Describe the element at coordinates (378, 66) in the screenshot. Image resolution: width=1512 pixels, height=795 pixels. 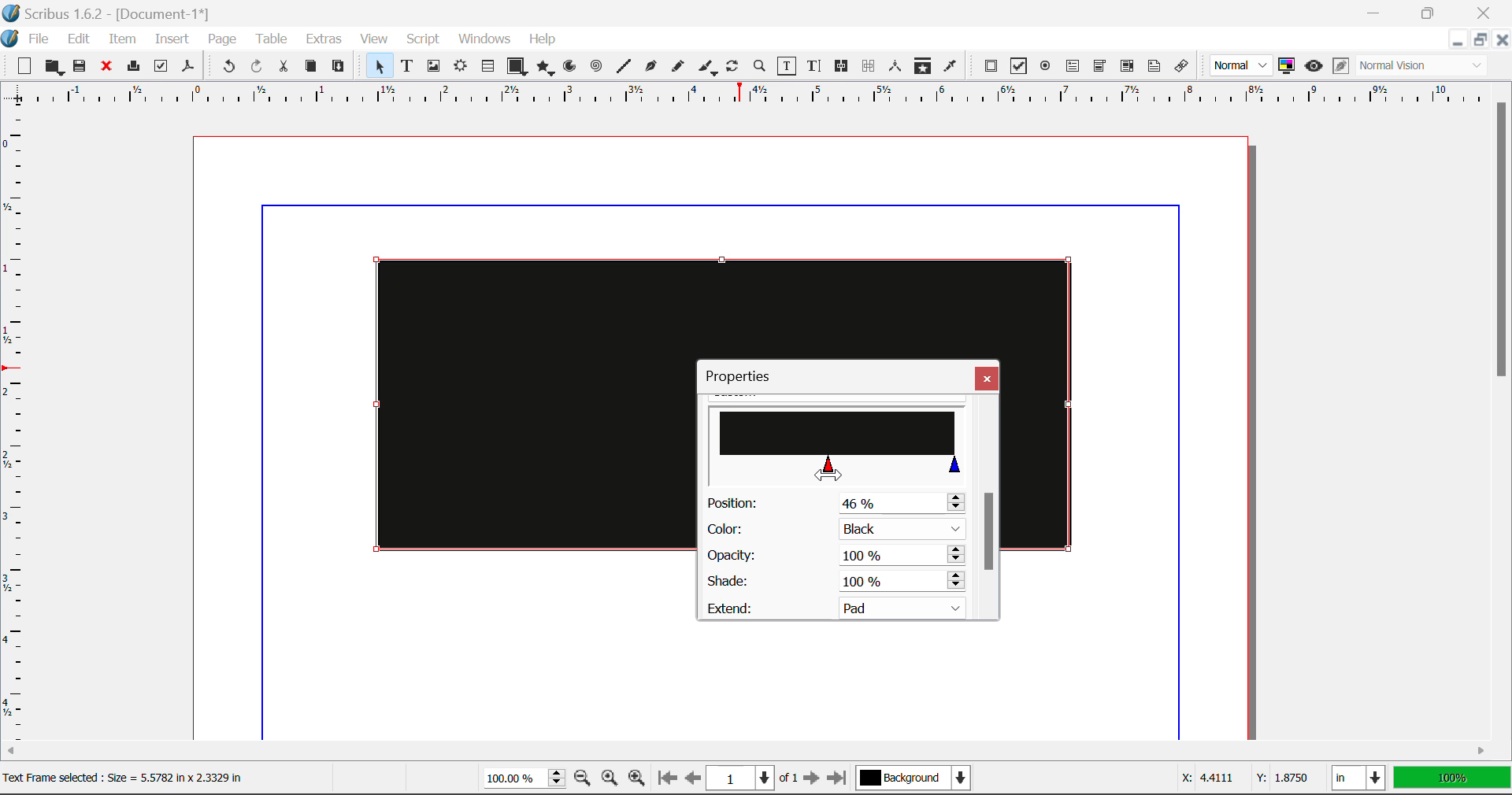
I see `Select` at that location.